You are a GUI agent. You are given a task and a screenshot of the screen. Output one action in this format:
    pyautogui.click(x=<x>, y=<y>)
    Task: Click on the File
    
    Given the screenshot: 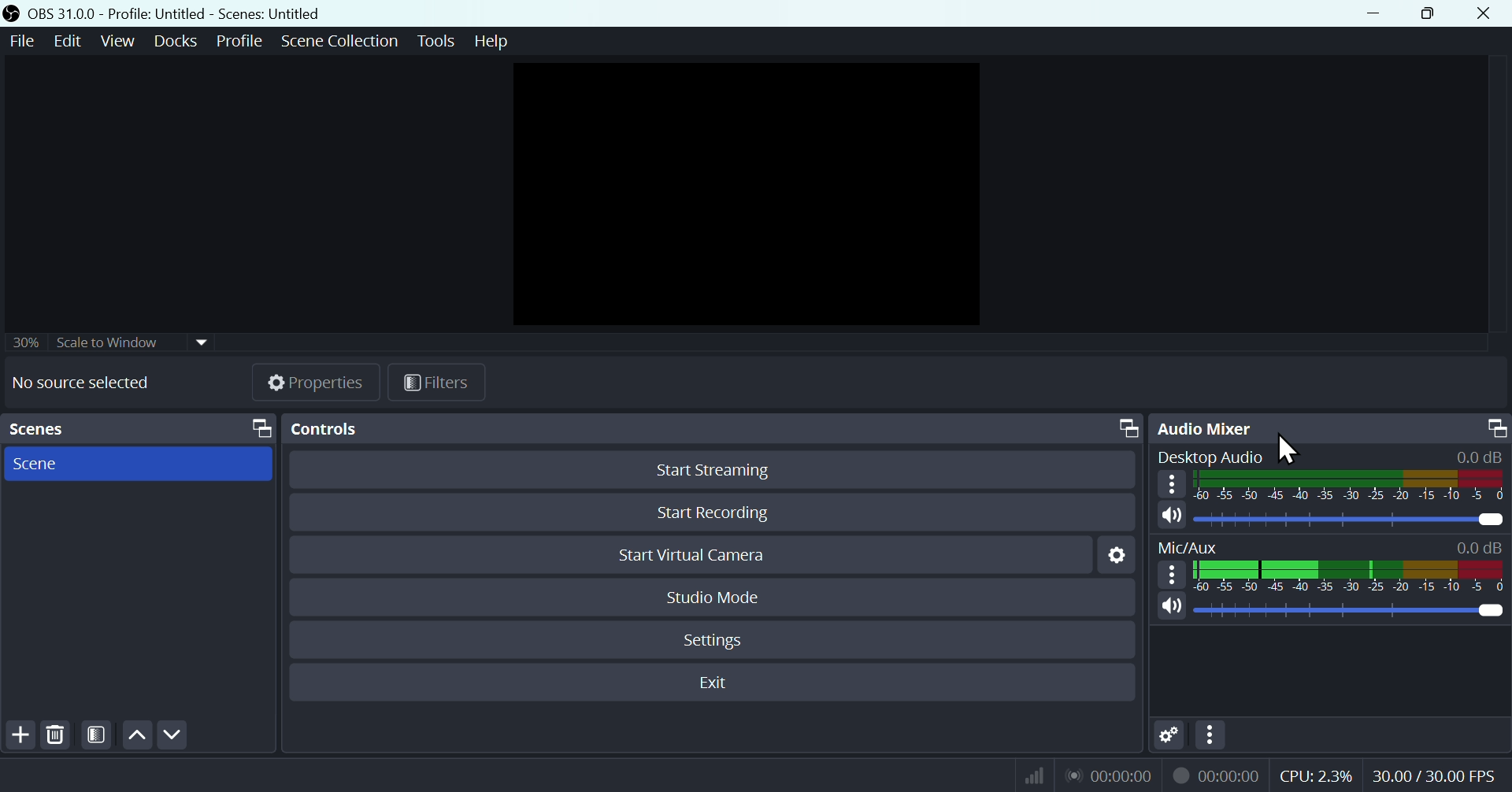 What is the action you would take?
    pyautogui.click(x=23, y=41)
    